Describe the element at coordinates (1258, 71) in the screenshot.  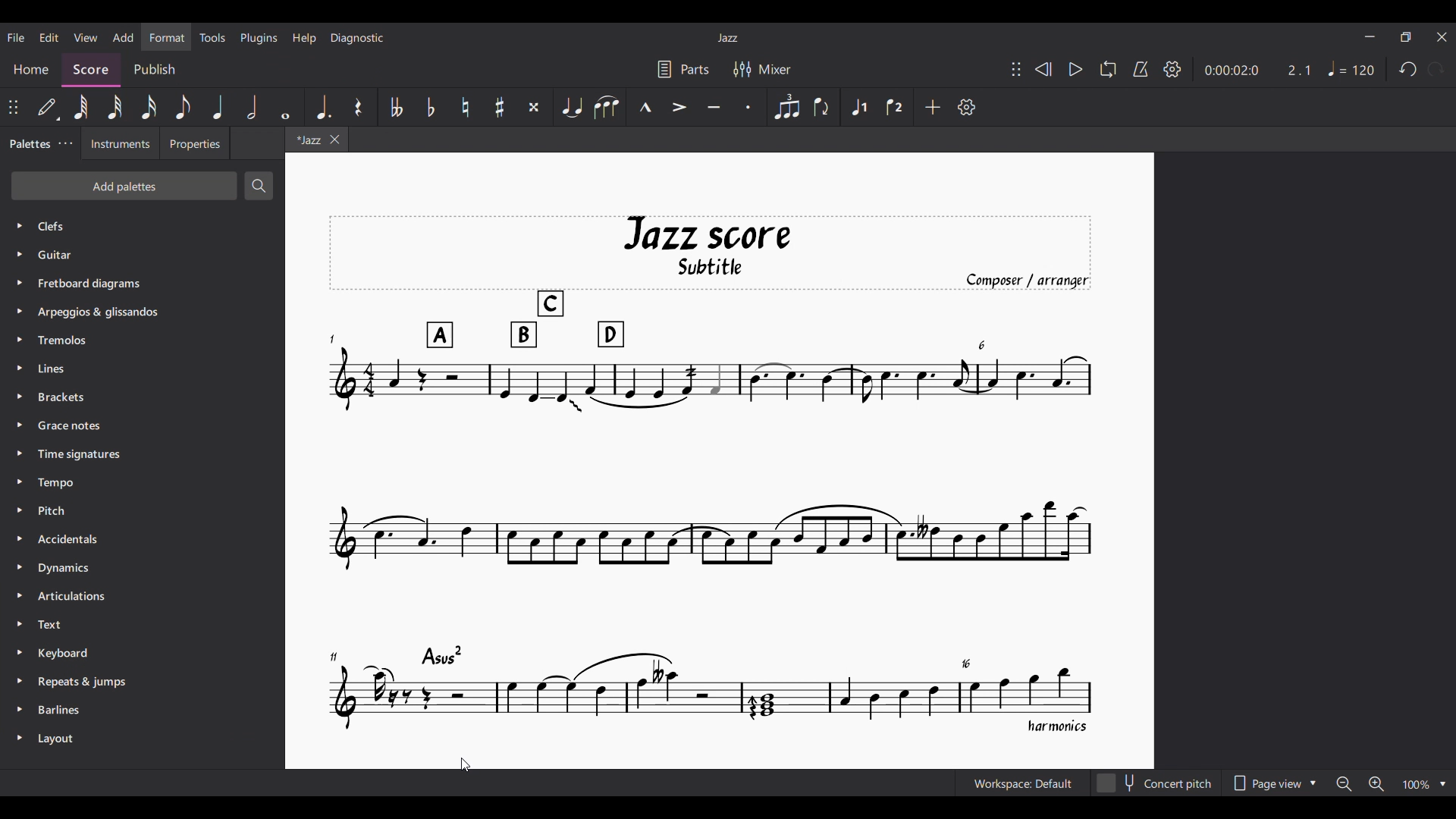
I see `Duration and ratio` at that location.